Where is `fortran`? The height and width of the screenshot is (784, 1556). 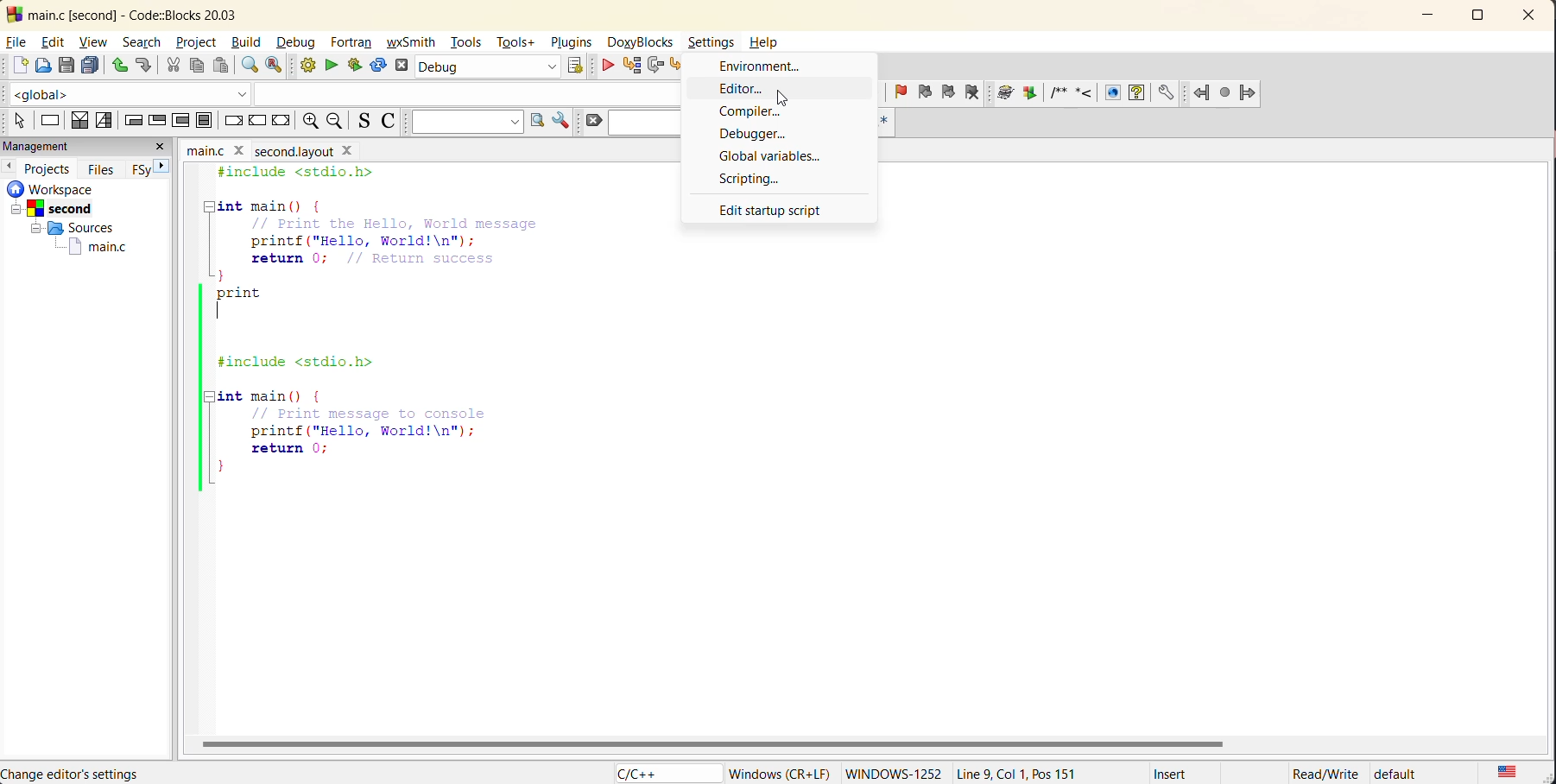
fortran is located at coordinates (354, 44).